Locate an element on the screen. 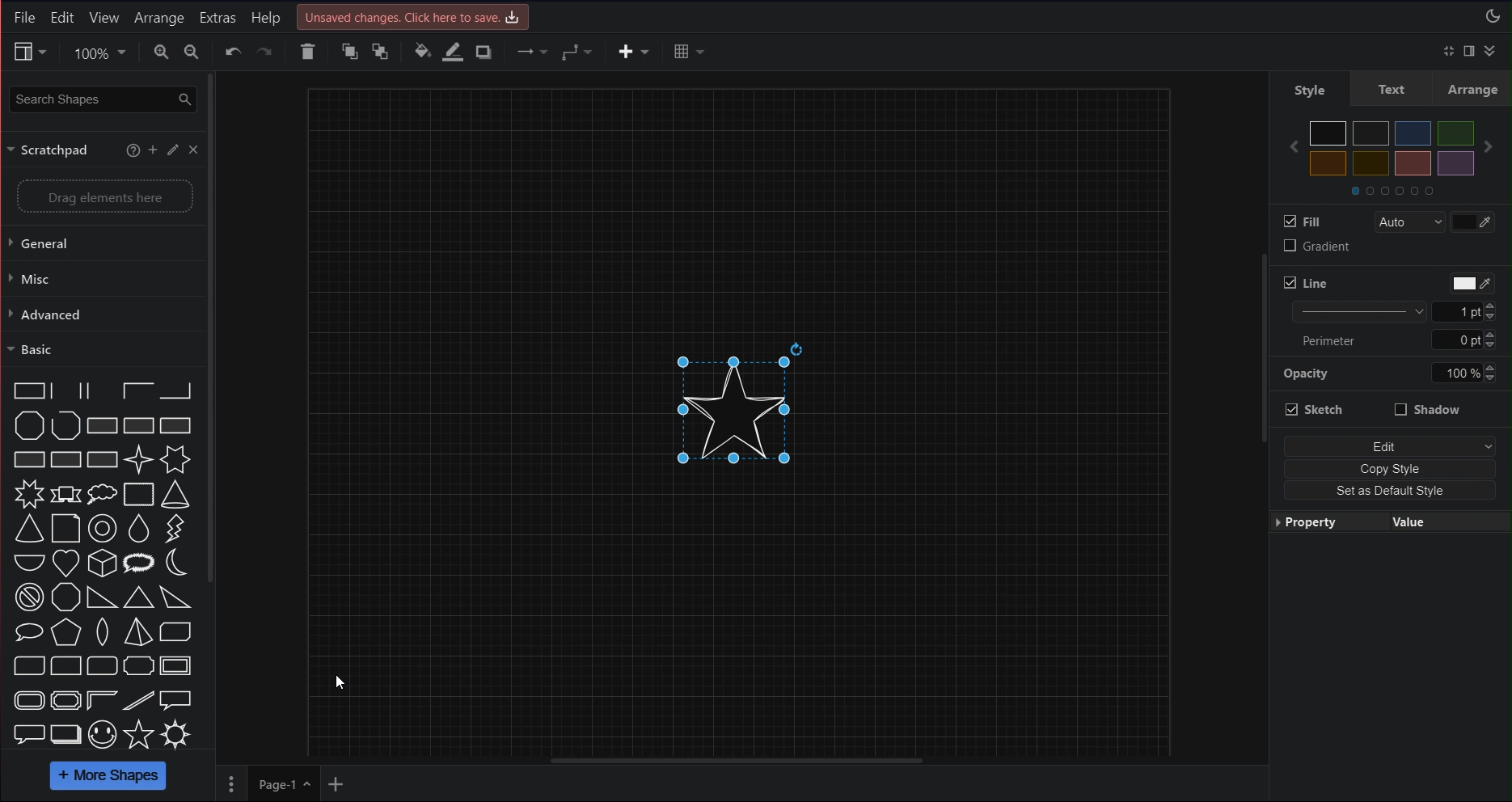  Connection is located at coordinates (531, 52).